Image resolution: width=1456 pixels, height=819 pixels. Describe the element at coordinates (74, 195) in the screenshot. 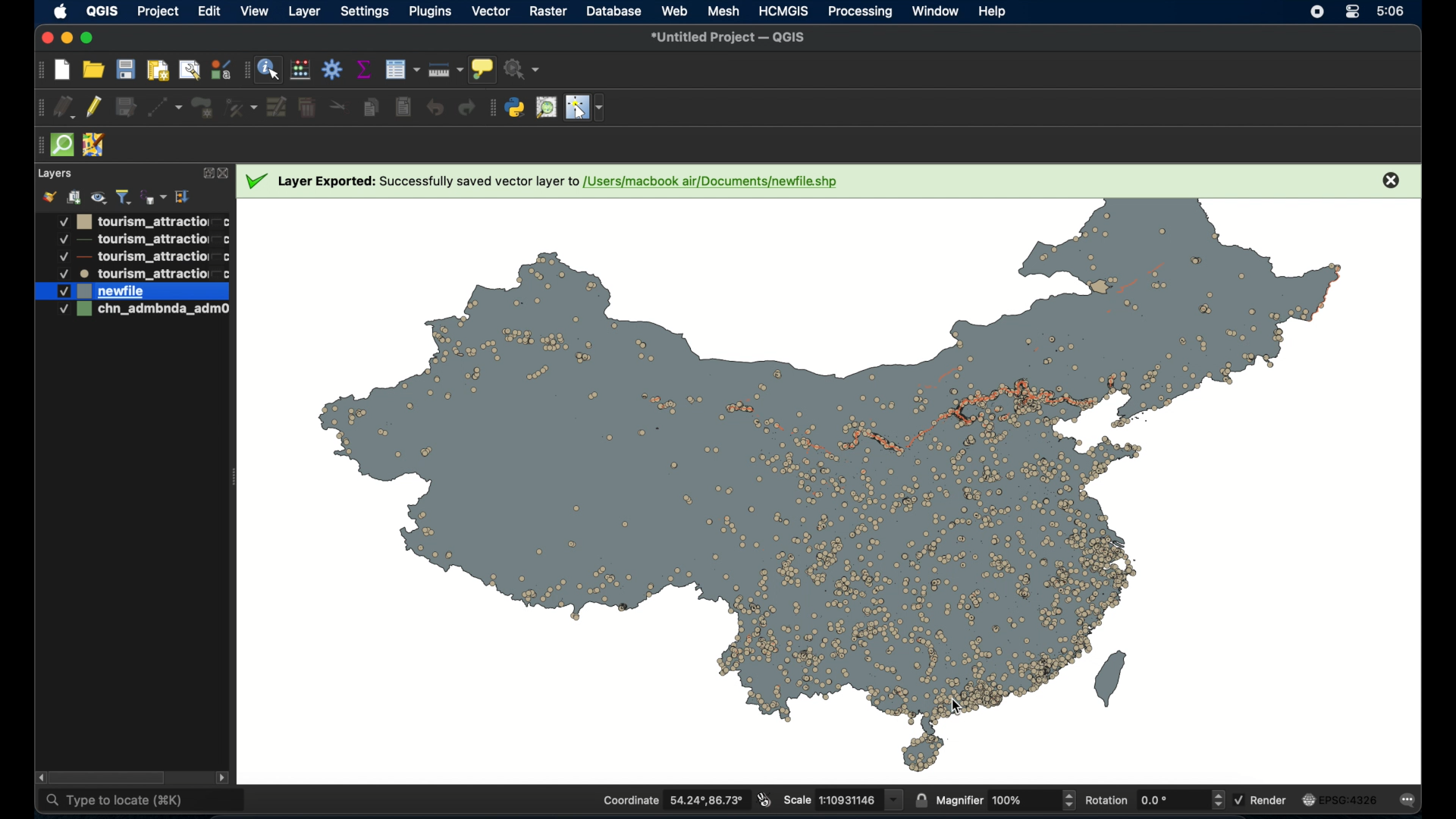

I see `add group` at that location.